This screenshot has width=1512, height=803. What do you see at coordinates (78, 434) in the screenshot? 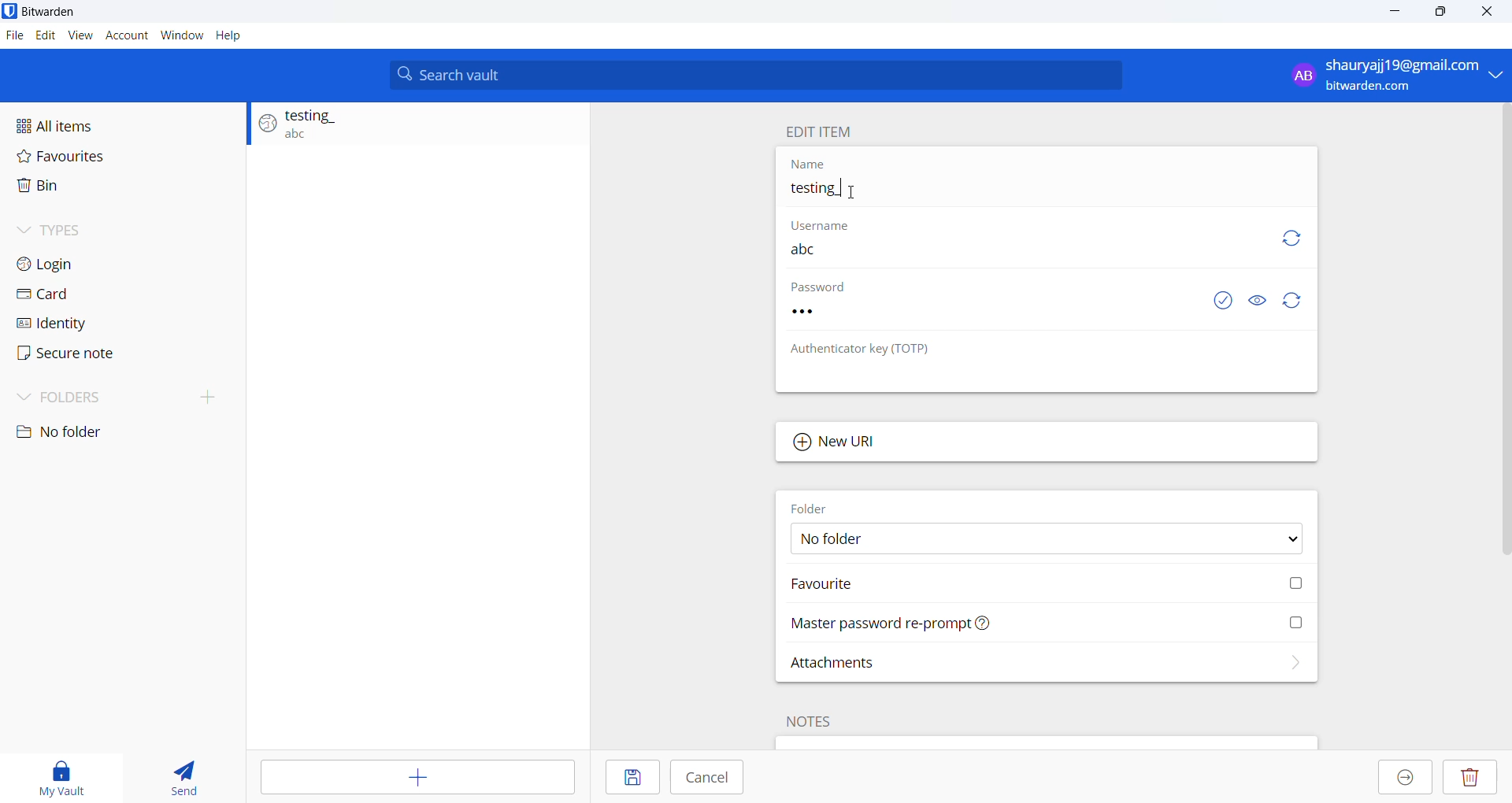
I see `No folder` at bounding box center [78, 434].